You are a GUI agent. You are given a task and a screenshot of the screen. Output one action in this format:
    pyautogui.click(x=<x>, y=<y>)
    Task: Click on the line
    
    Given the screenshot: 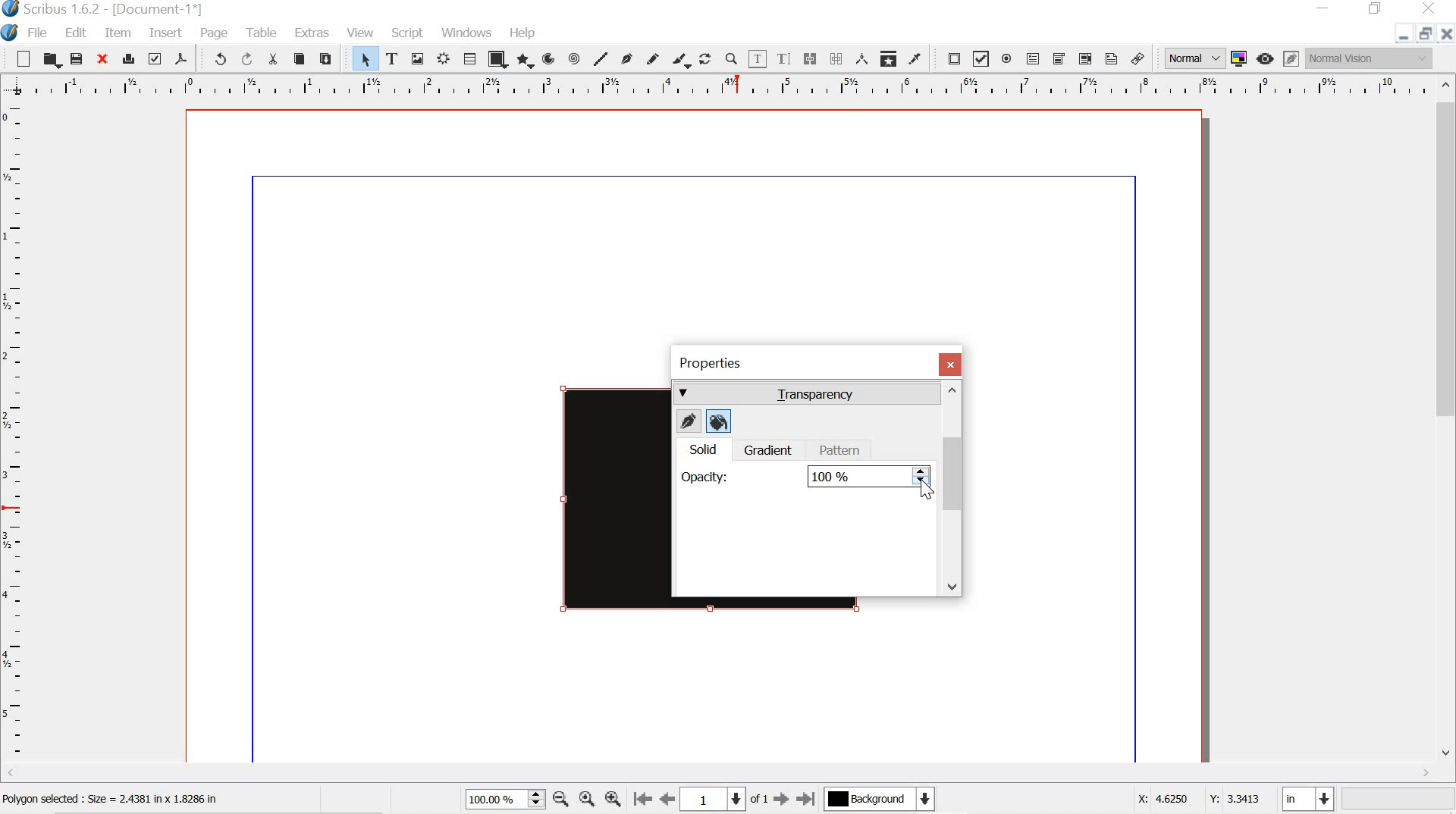 What is the action you would take?
    pyautogui.click(x=601, y=58)
    